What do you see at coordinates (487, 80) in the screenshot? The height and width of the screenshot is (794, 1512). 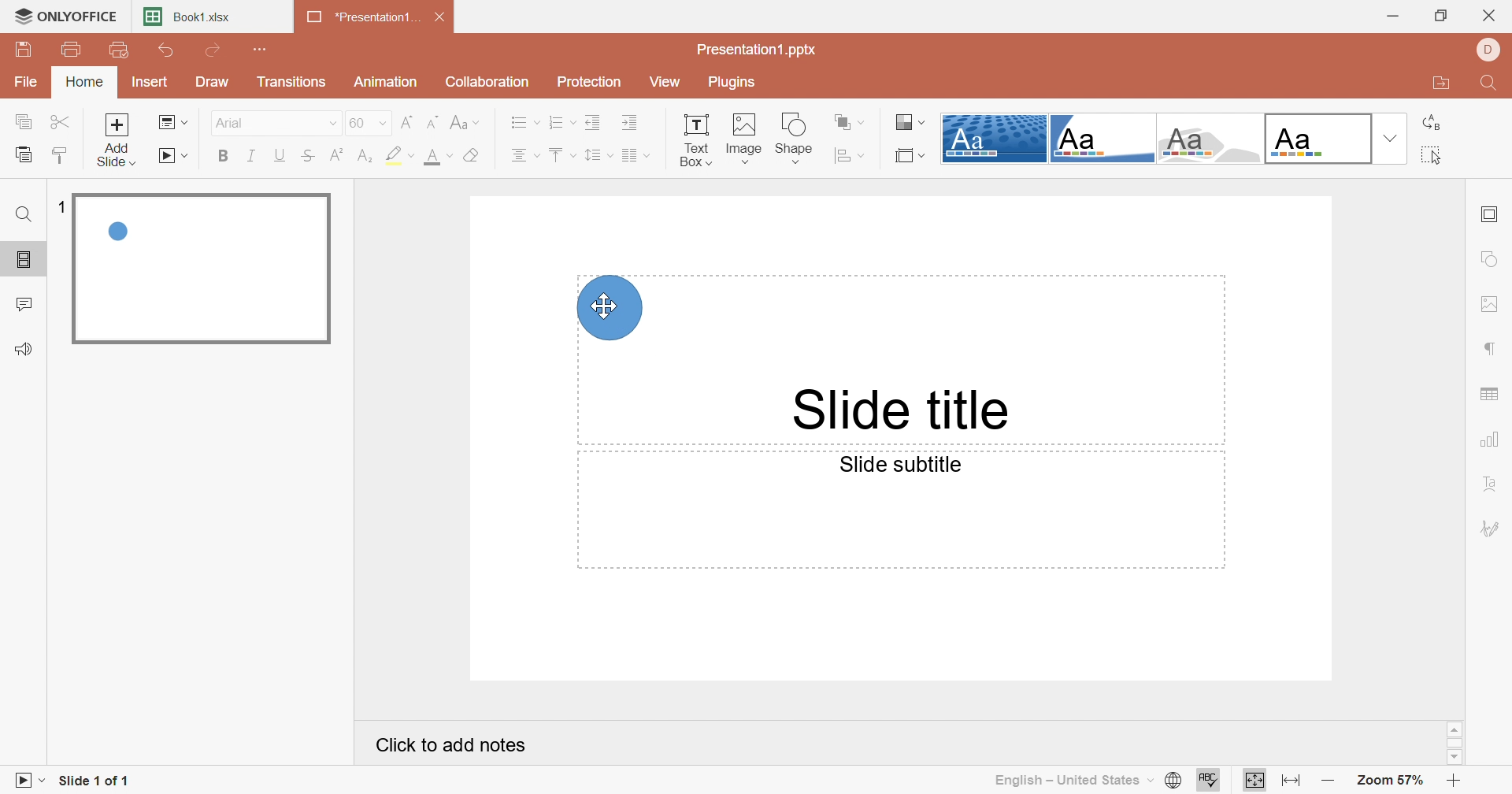 I see `Collaboration` at bounding box center [487, 80].